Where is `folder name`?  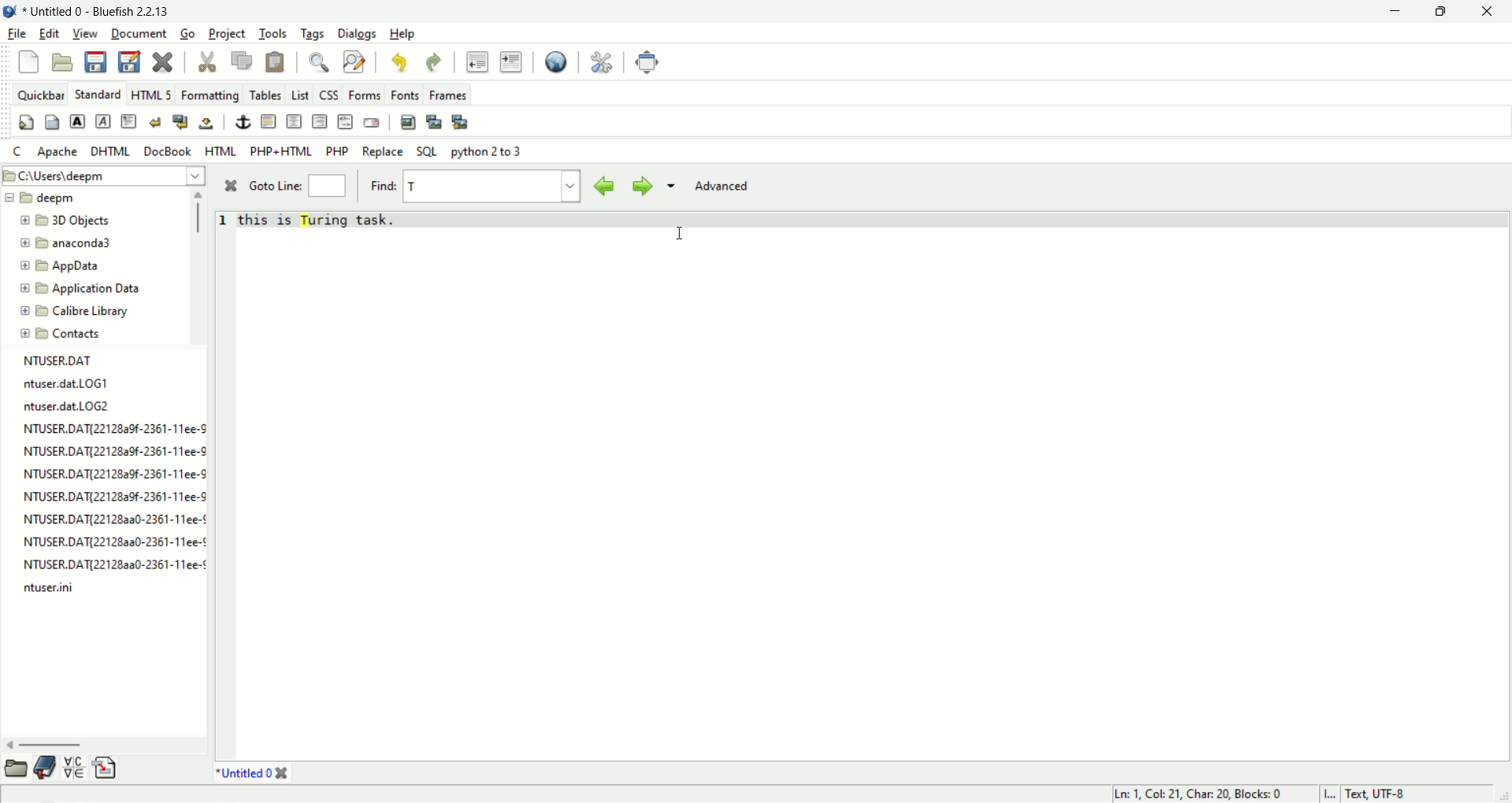
folder name is located at coordinates (74, 244).